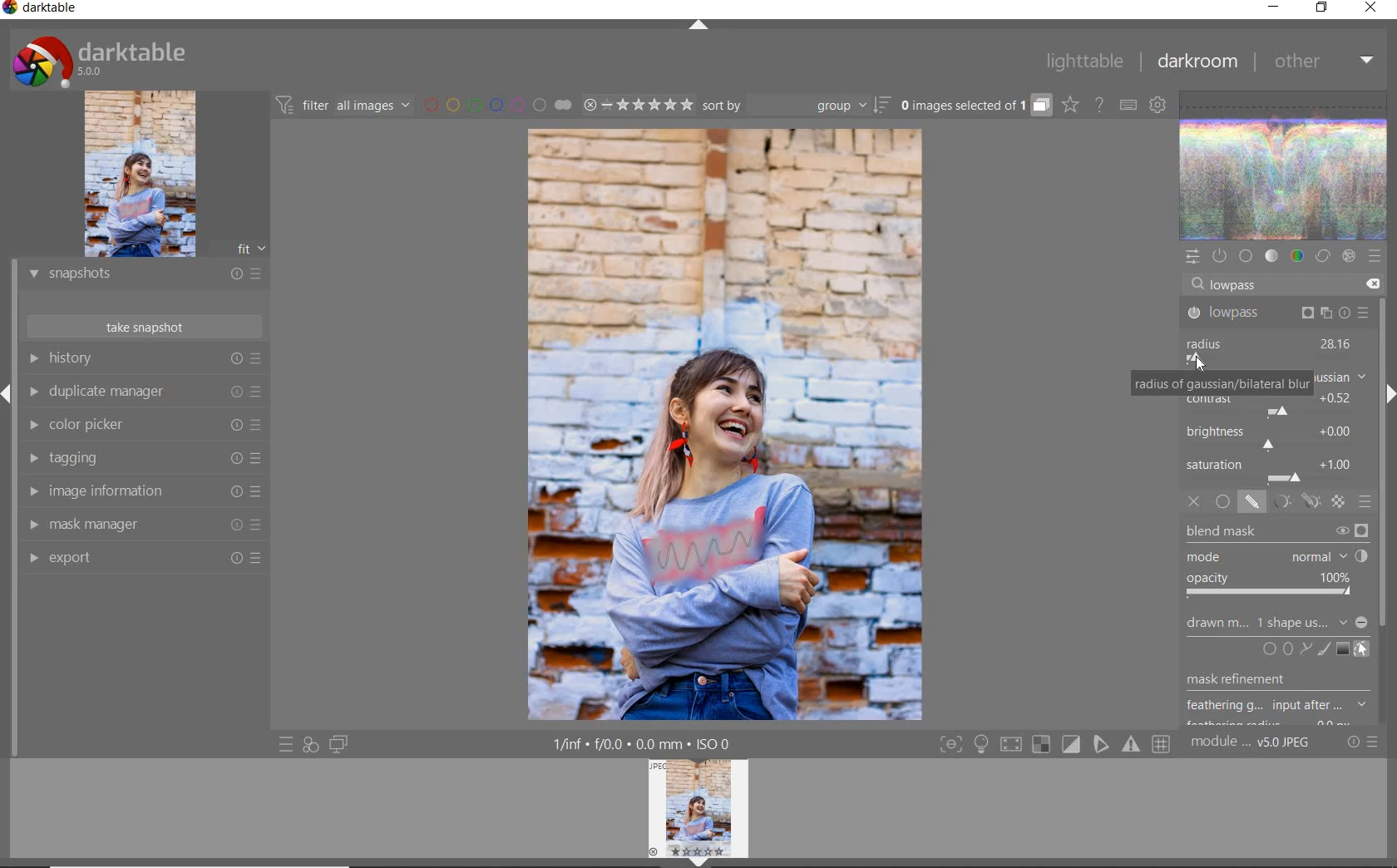 This screenshot has width=1397, height=868. What do you see at coordinates (1197, 503) in the screenshot?
I see `off` at bounding box center [1197, 503].